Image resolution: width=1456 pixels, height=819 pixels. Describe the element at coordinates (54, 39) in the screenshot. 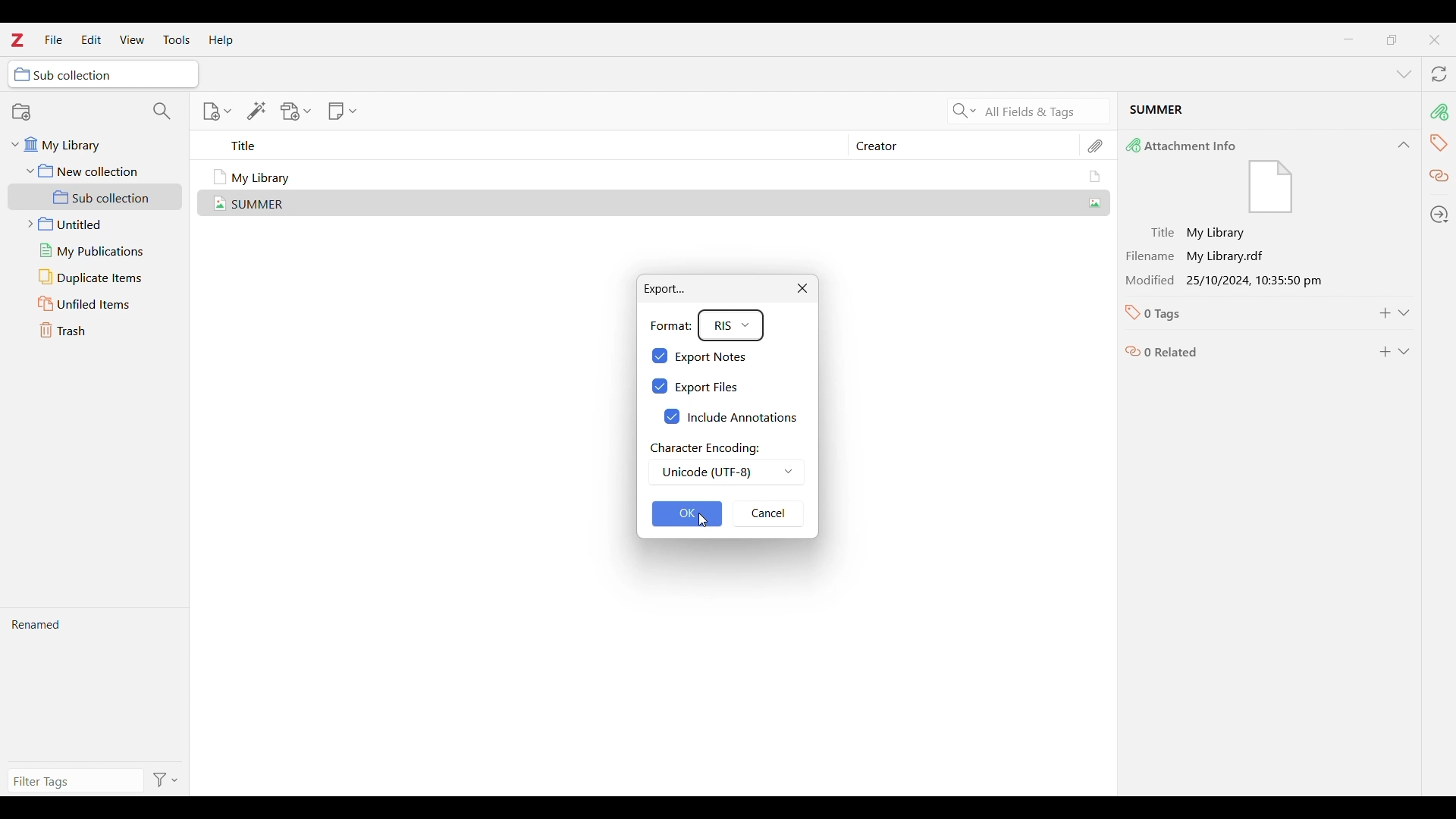

I see `File menu` at that location.